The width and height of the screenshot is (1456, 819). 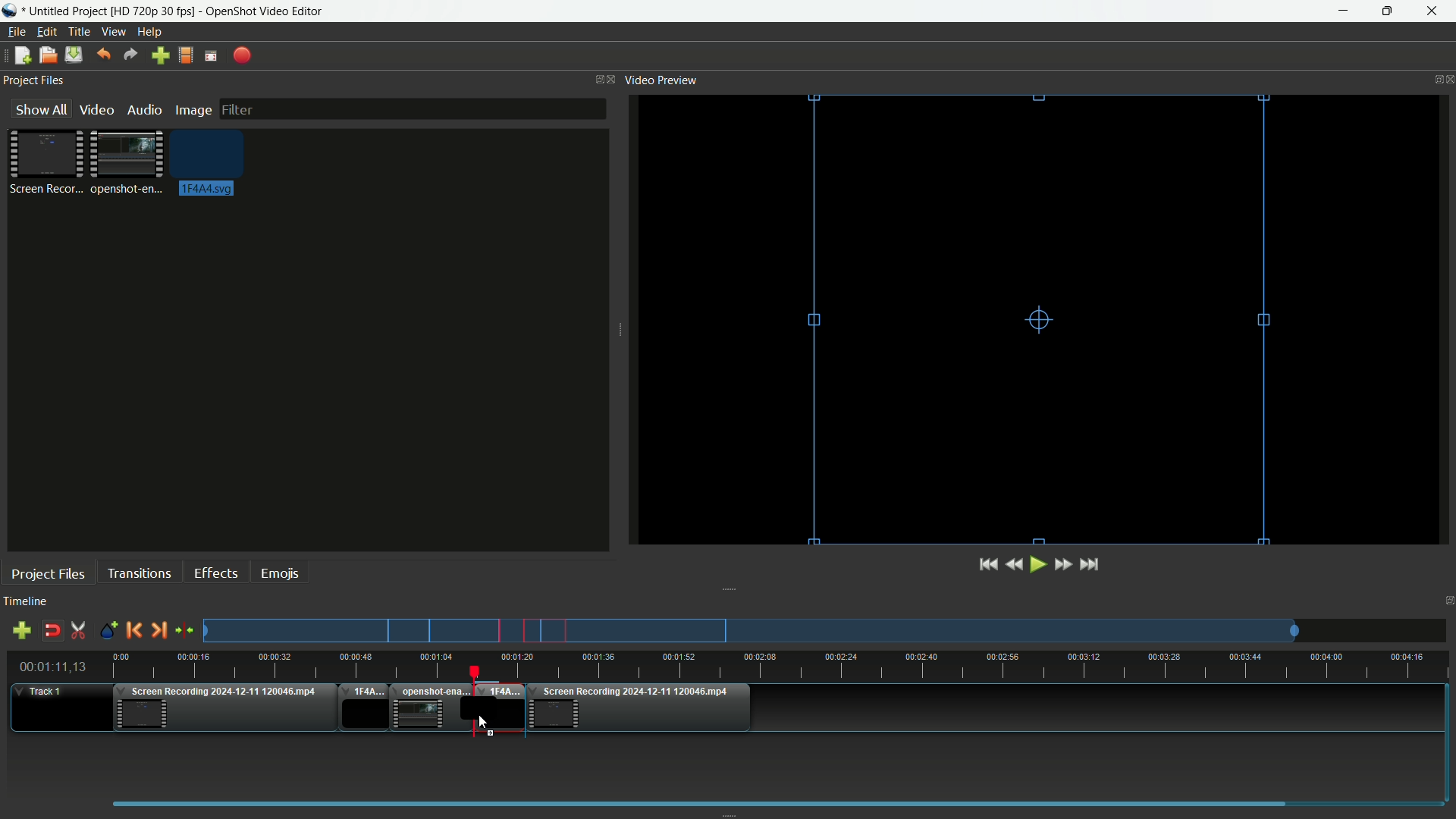 What do you see at coordinates (1432, 11) in the screenshot?
I see `close app` at bounding box center [1432, 11].